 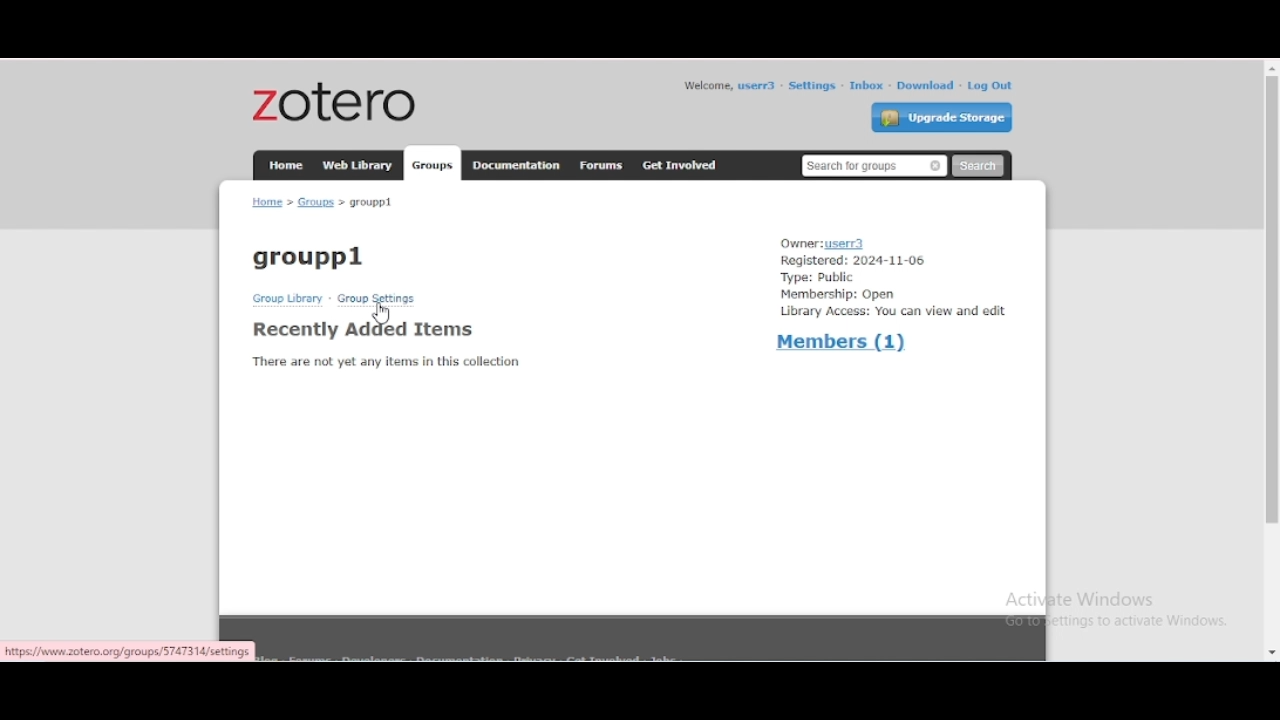 What do you see at coordinates (364, 329) in the screenshot?
I see `recently added items` at bounding box center [364, 329].